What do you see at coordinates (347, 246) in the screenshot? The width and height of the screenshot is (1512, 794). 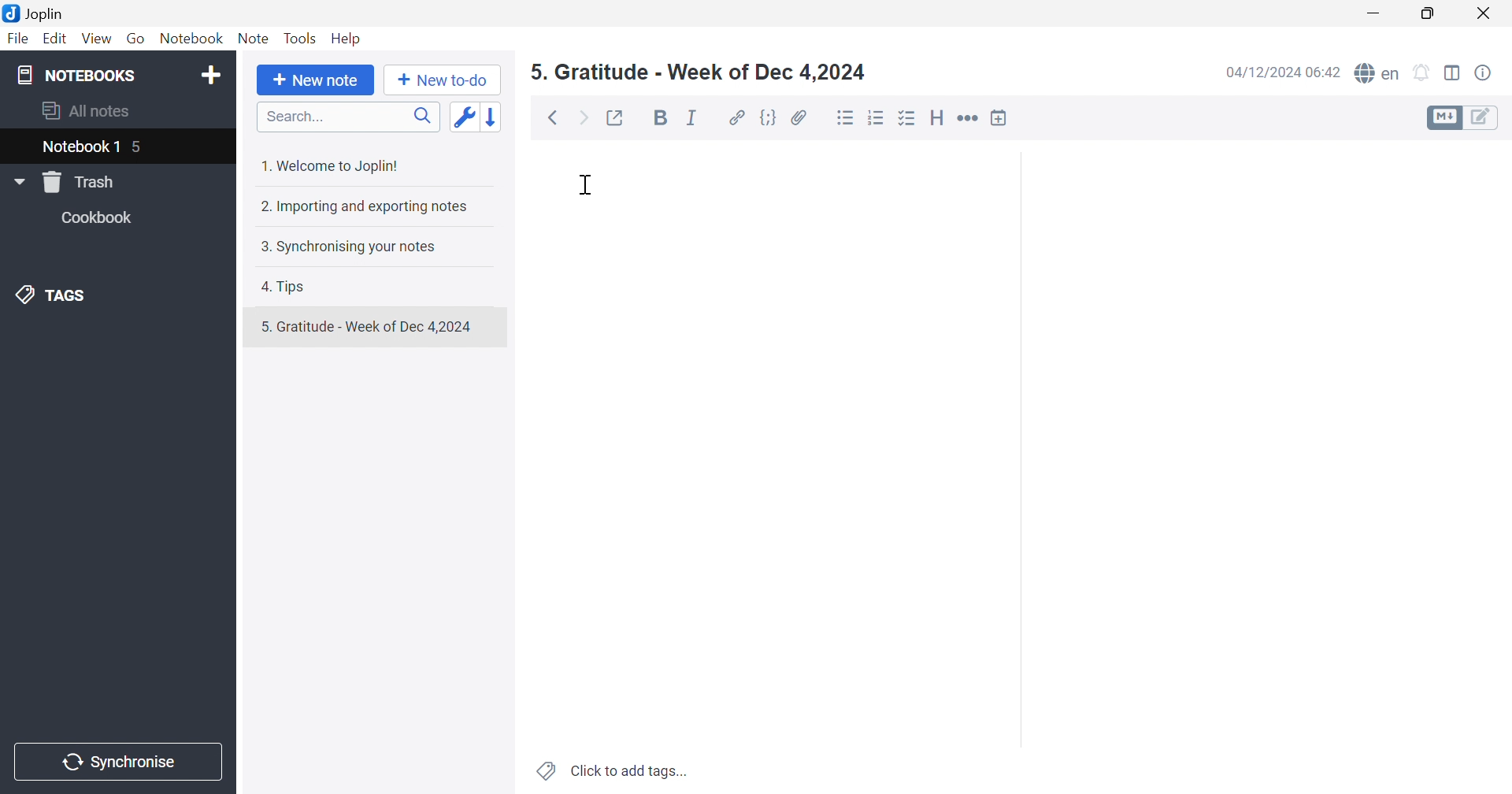 I see `3. Synchronising your notes` at bounding box center [347, 246].